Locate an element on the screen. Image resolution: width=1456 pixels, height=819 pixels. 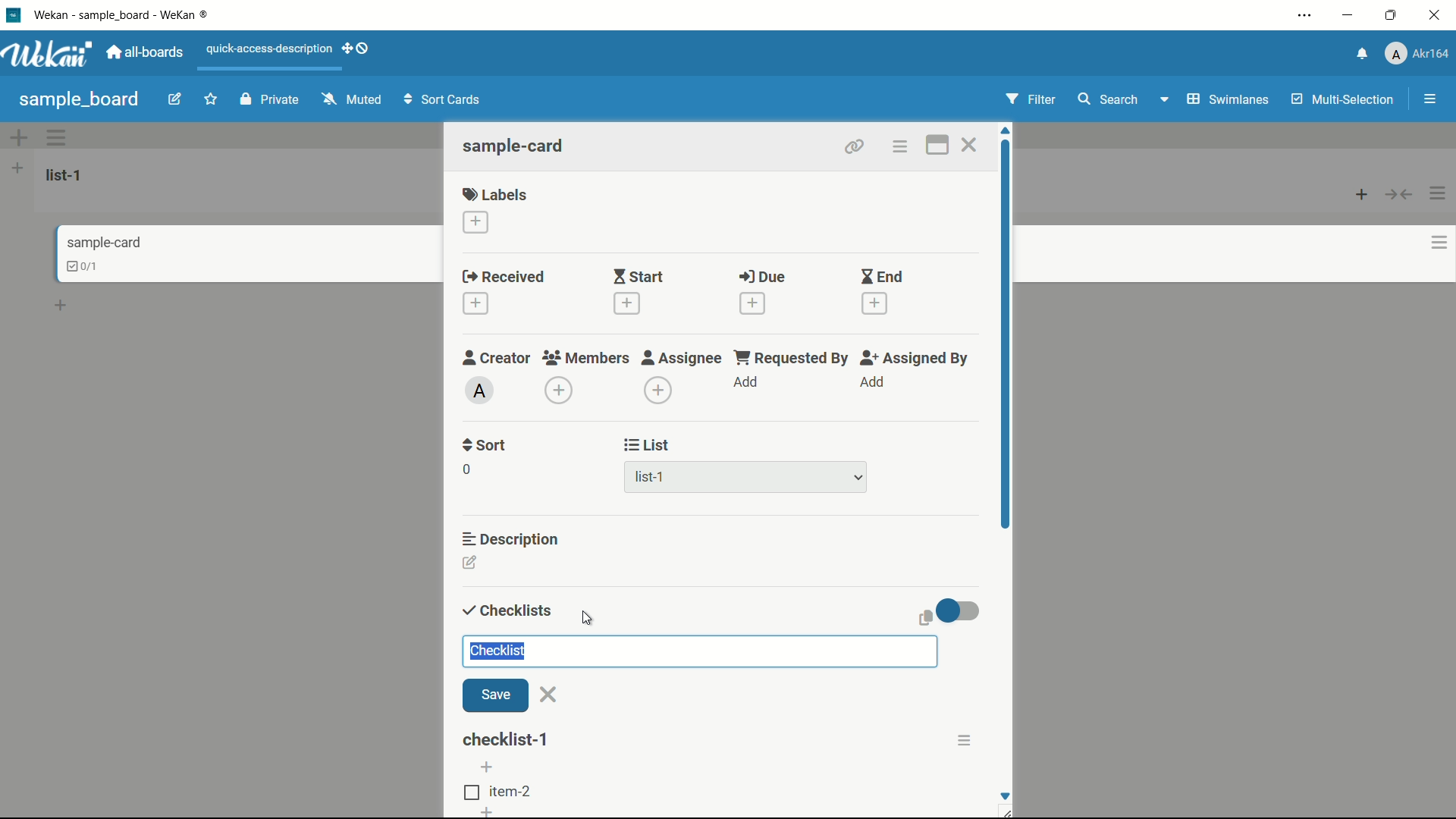
show-desktop-drag-handles is located at coordinates (358, 47).